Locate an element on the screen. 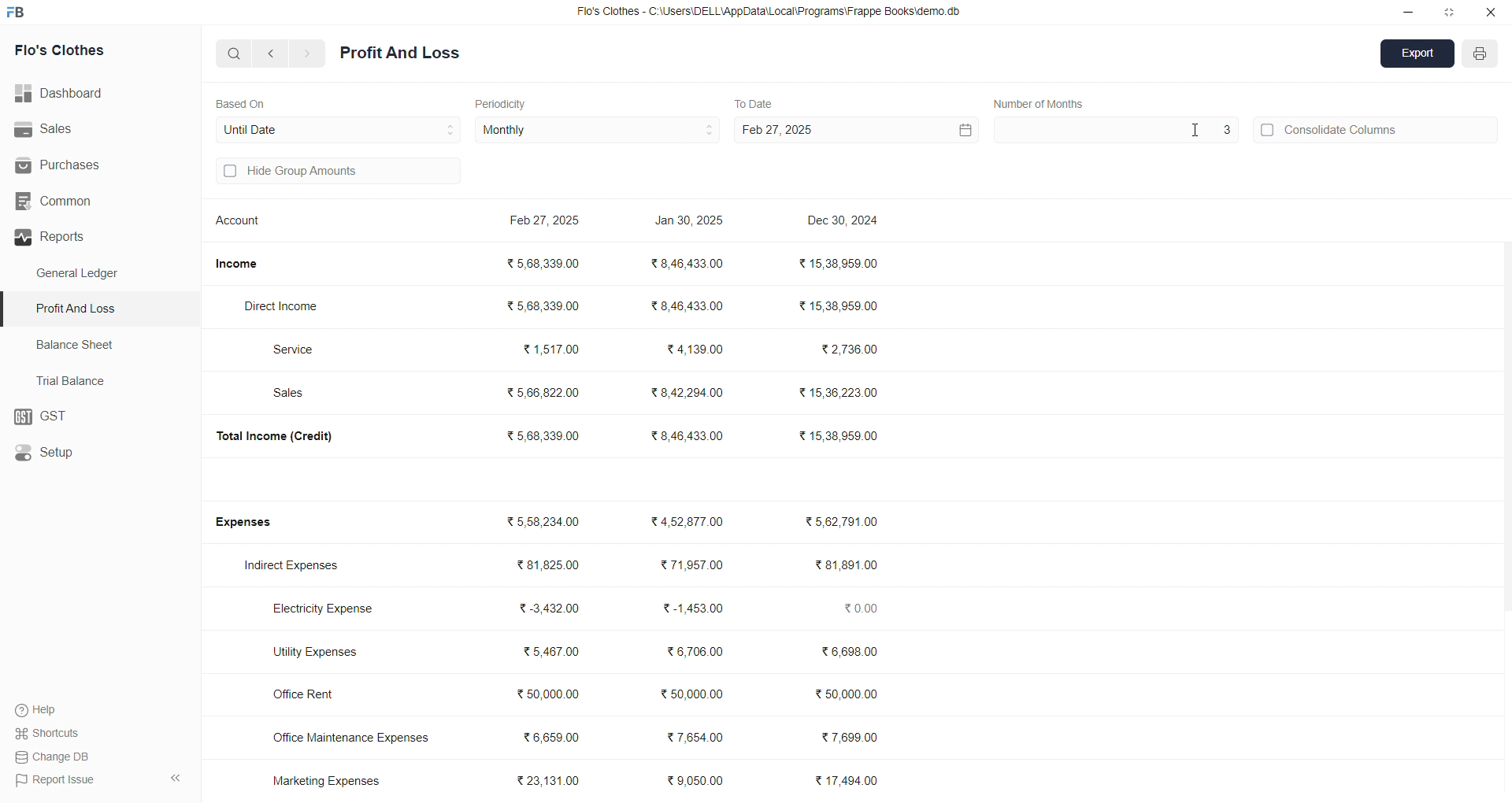 The width and height of the screenshot is (1512, 803). ₹8,46,433.00 is located at coordinates (691, 263).